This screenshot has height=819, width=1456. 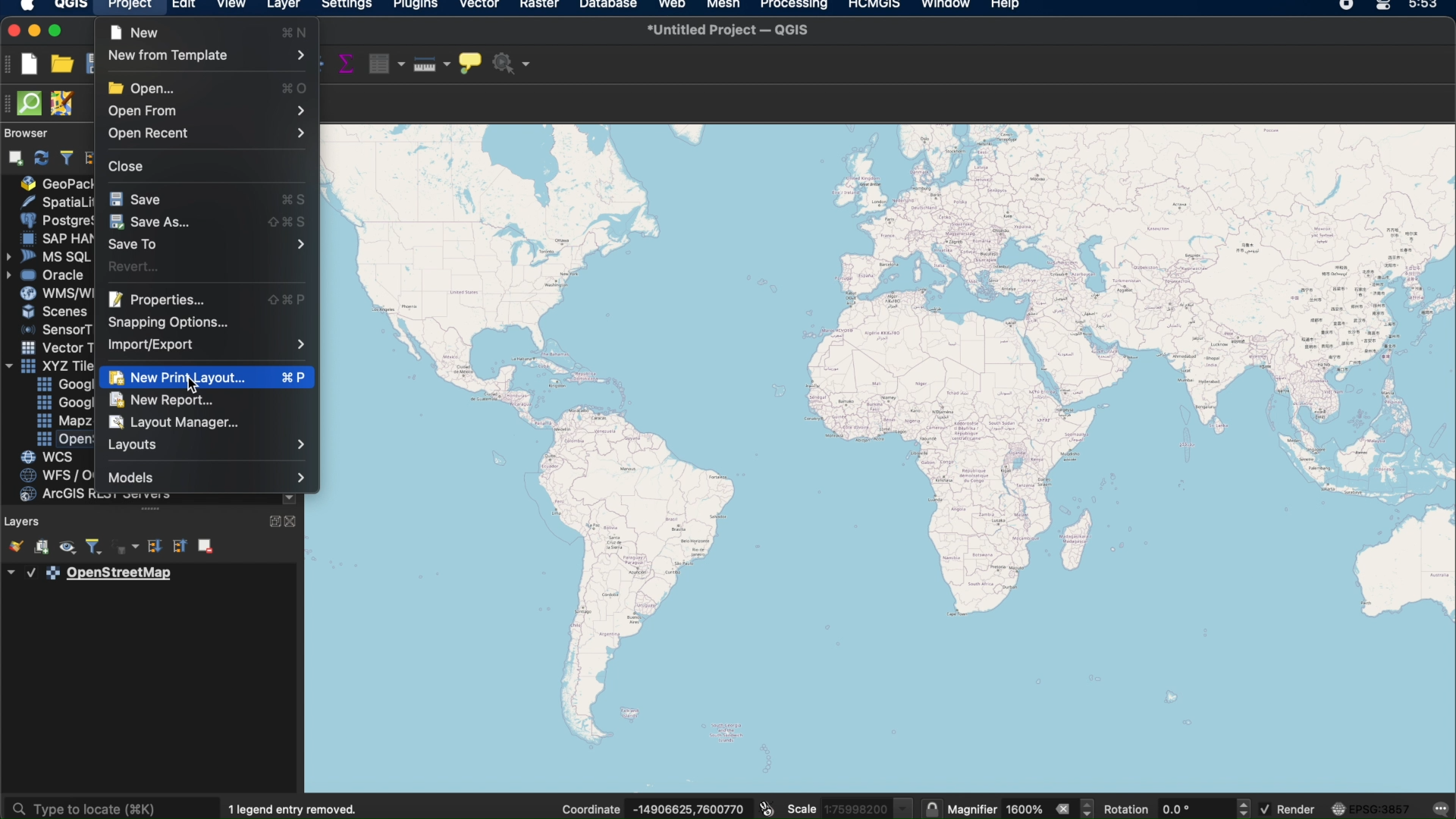 I want to click on Models , so click(x=208, y=479).